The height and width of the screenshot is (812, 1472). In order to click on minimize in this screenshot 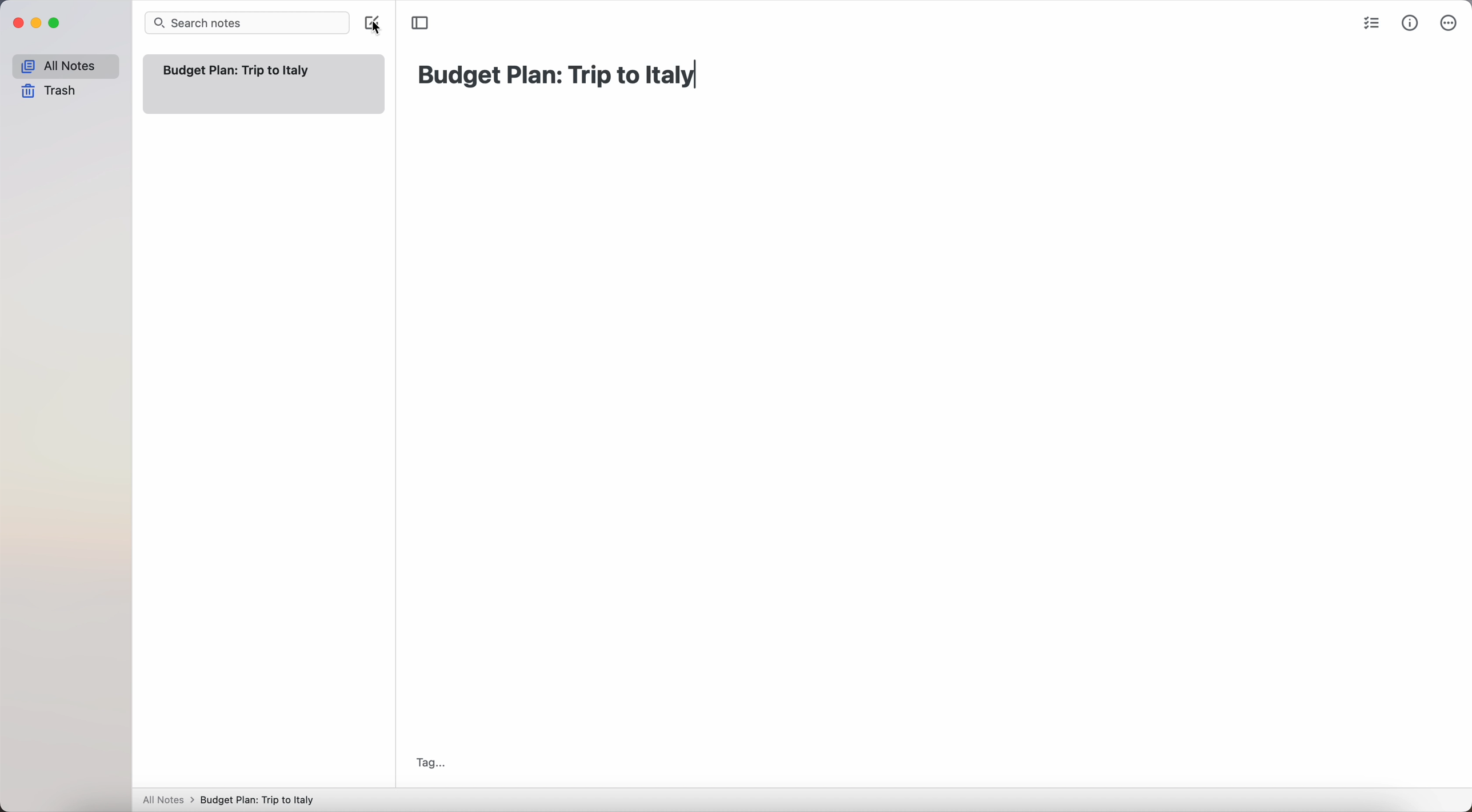, I will do `click(39, 23)`.